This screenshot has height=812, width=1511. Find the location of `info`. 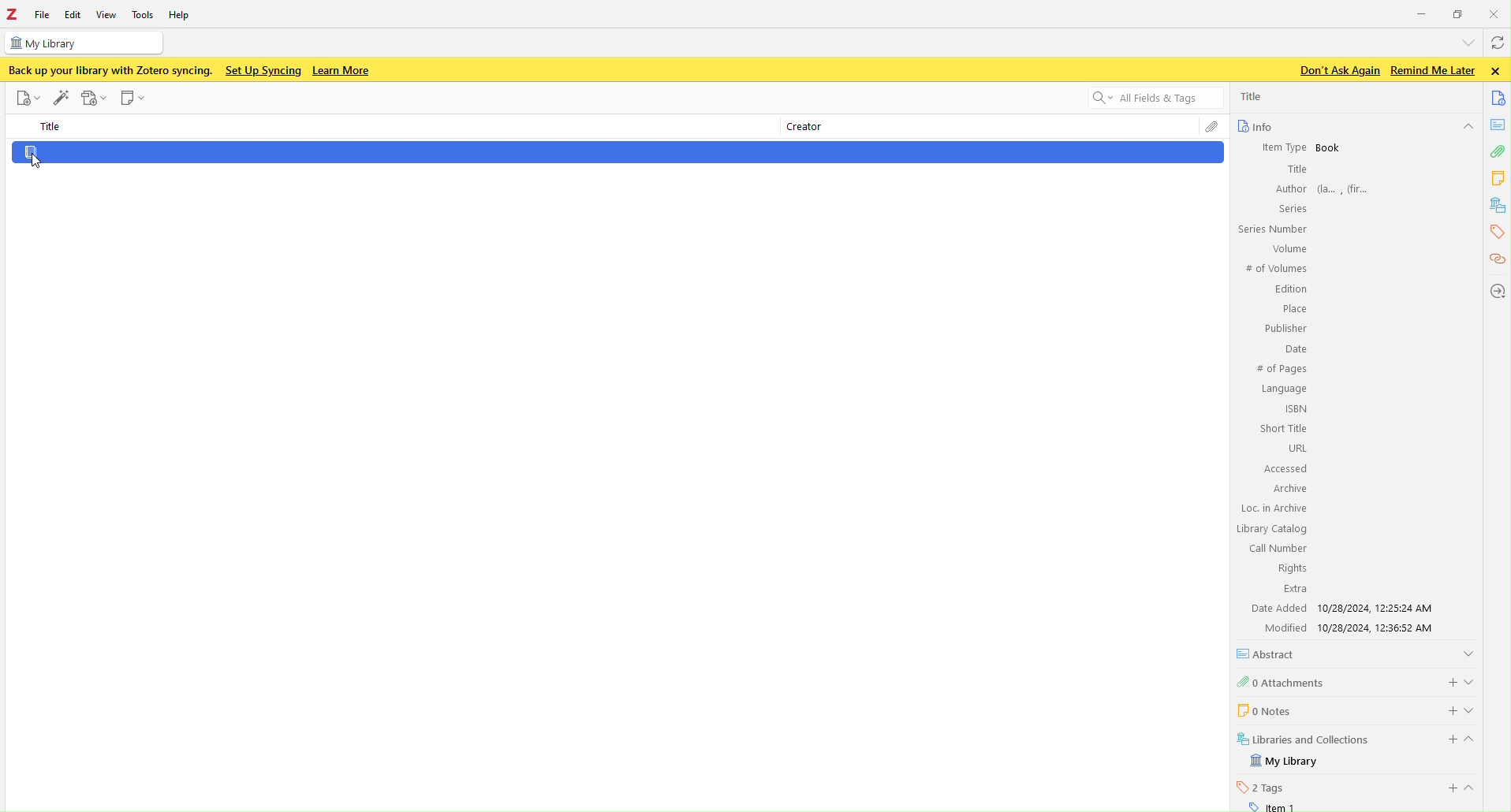

info is located at coordinates (1352, 378).